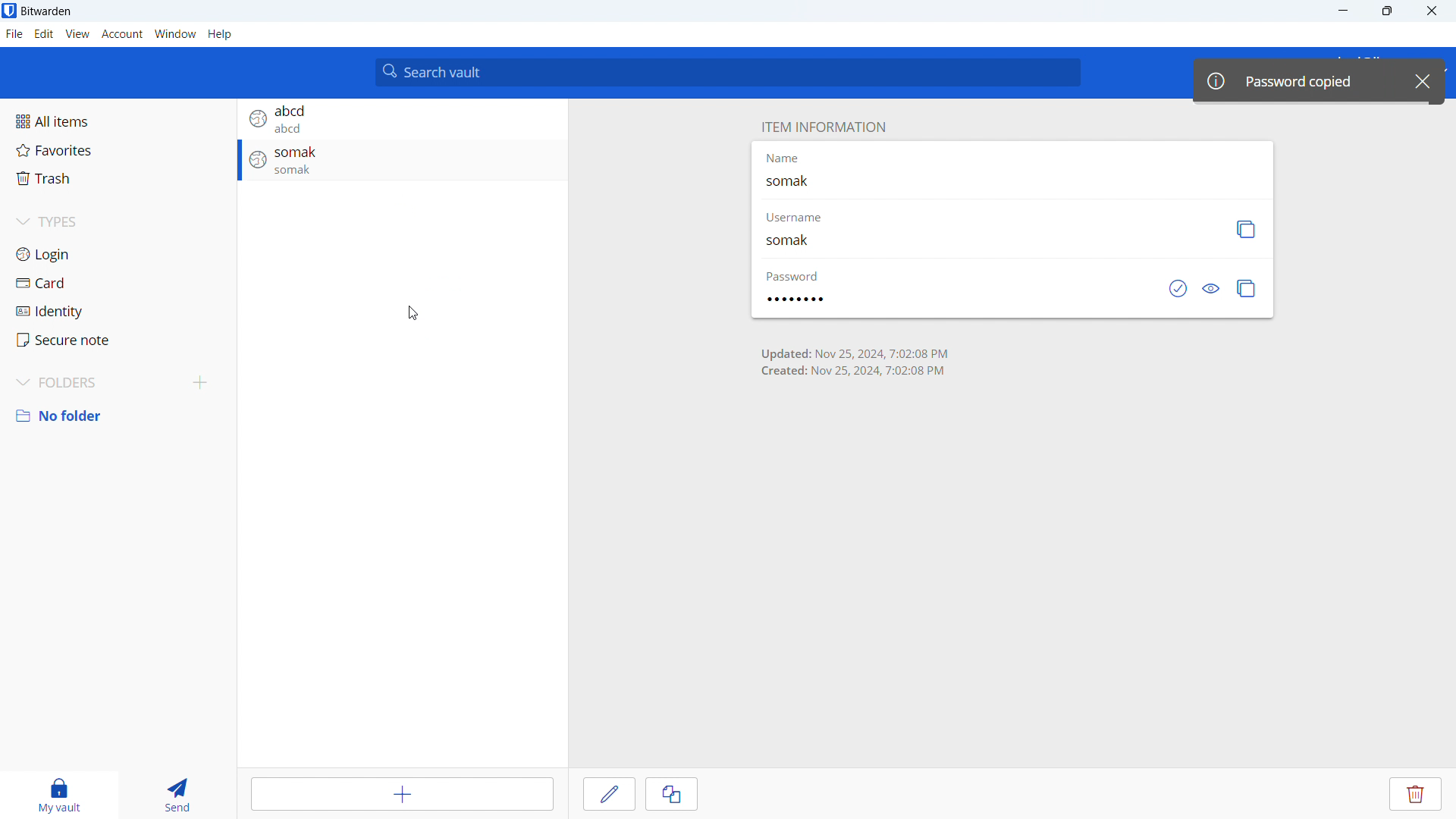  Describe the element at coordinates (1178, 288) in the screenshot. I see `check if password has been exposed` at that location.